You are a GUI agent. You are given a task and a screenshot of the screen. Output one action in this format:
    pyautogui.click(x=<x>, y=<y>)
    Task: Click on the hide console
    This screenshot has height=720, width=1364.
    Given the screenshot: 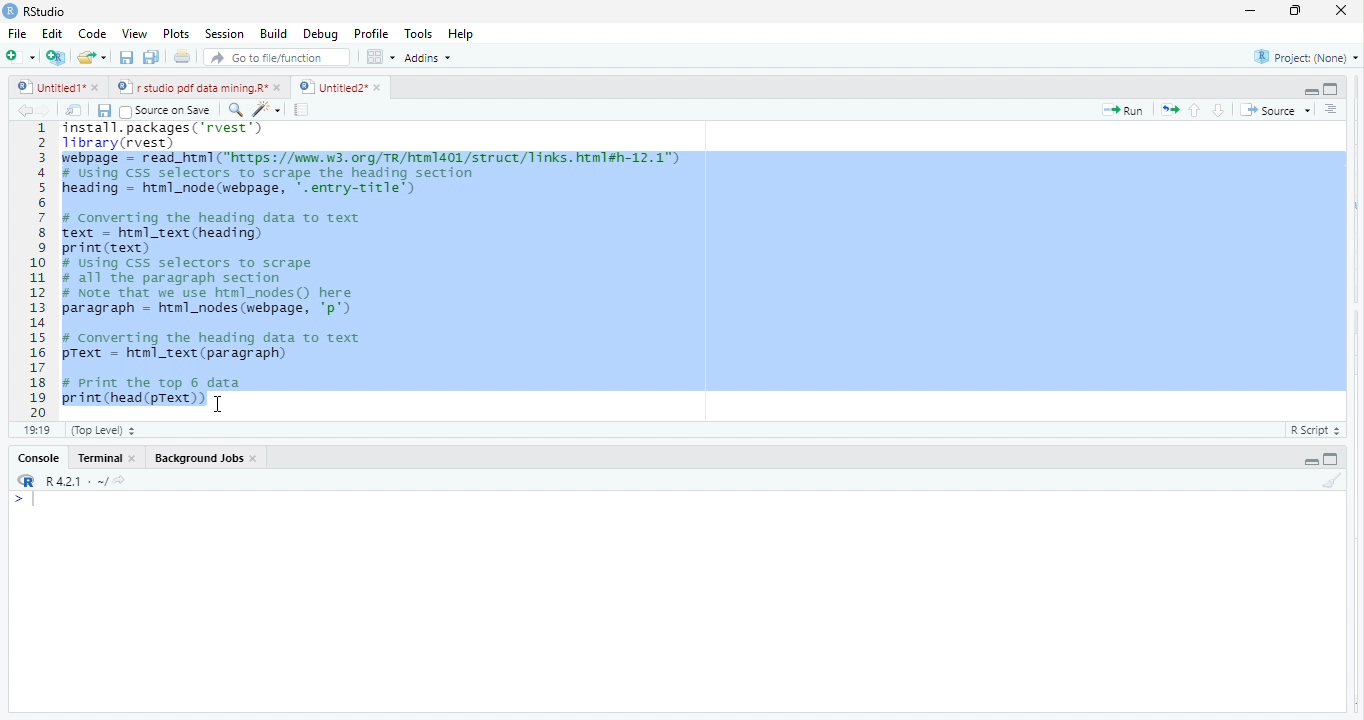 What is the action you would take?
    pyautogui.click(x=1331, y=87)
    